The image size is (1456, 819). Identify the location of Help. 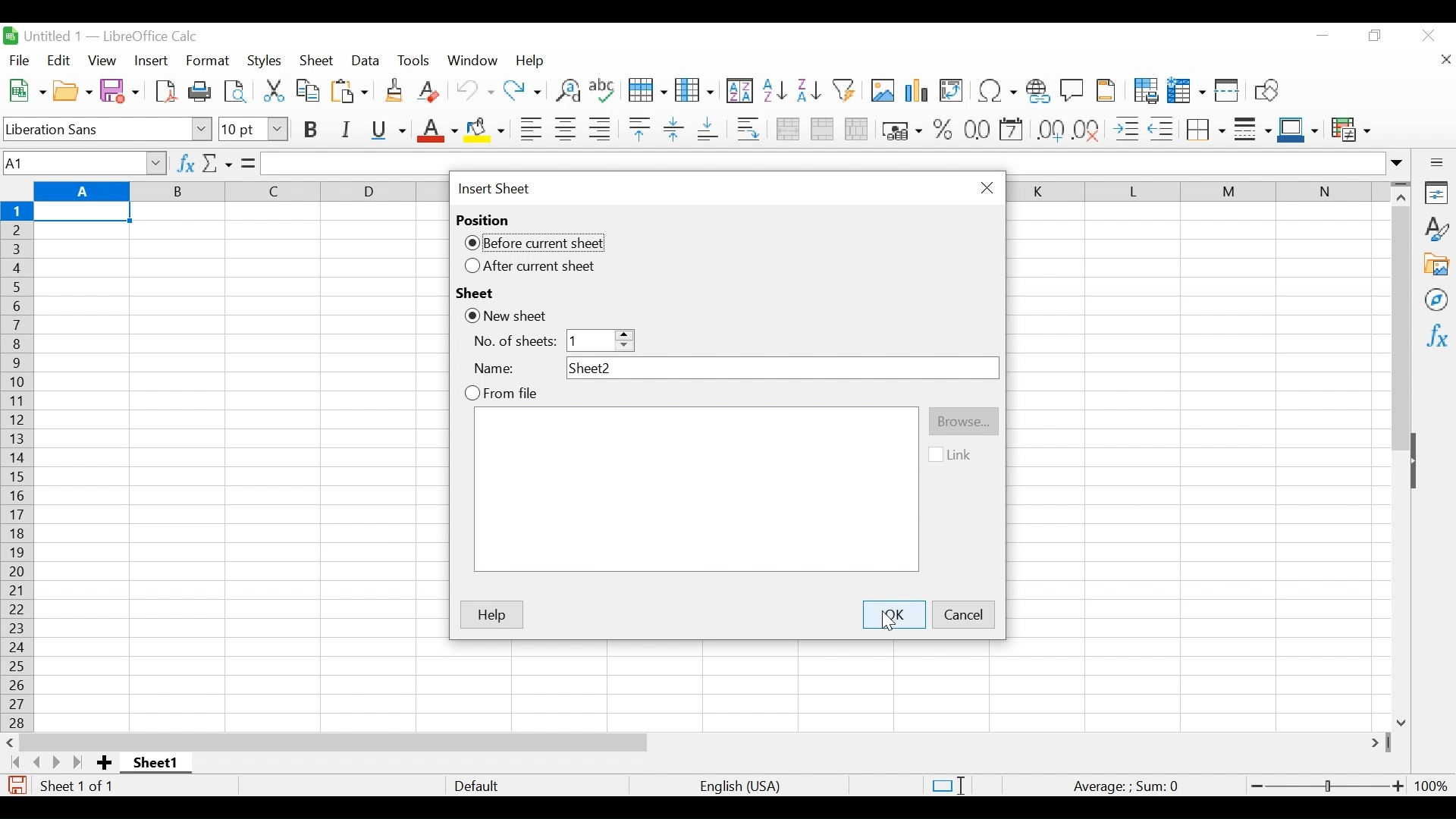
(533, 62).